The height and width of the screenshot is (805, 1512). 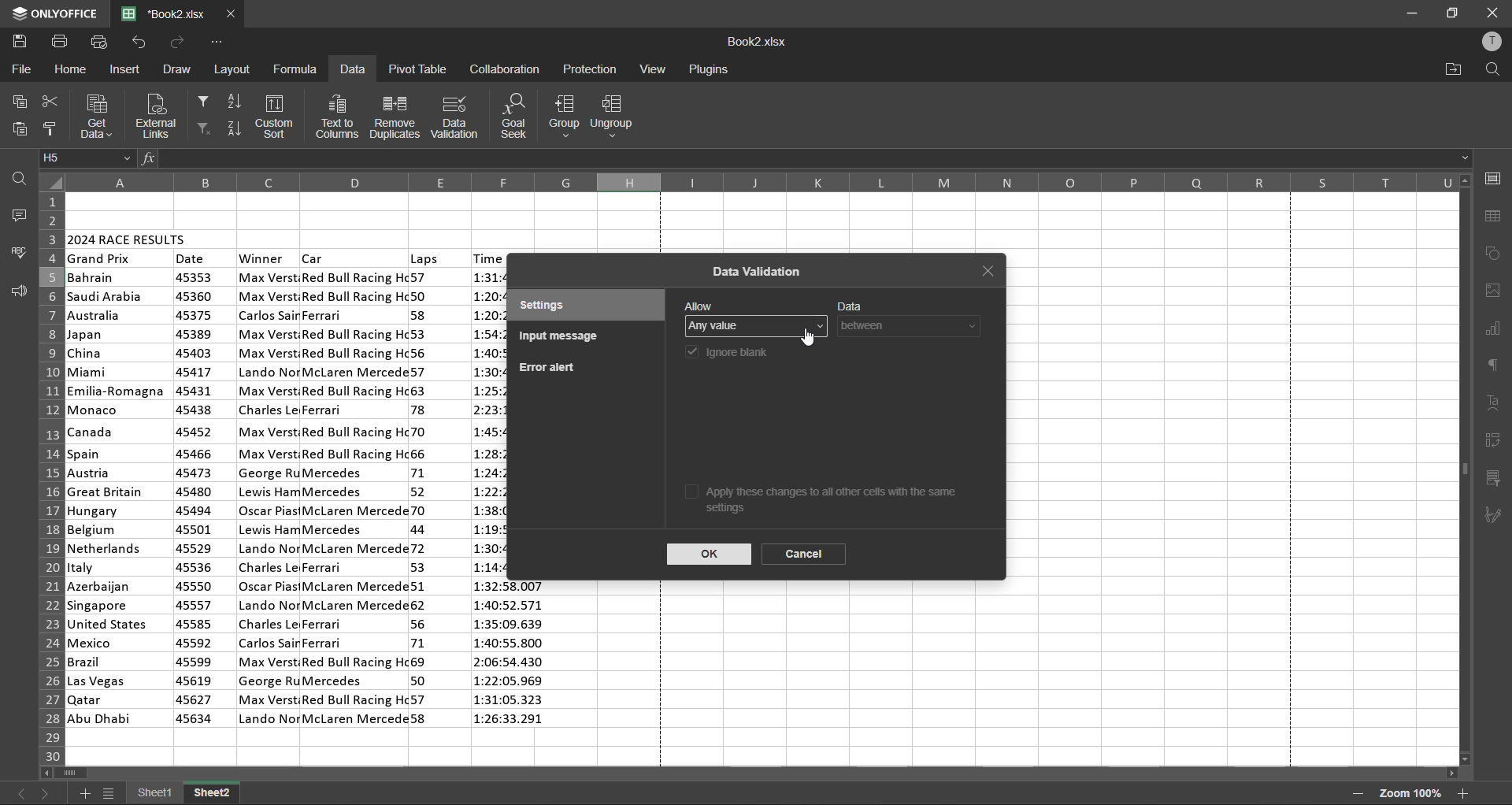 I want to click on error alert, so click(x=547, y=368).